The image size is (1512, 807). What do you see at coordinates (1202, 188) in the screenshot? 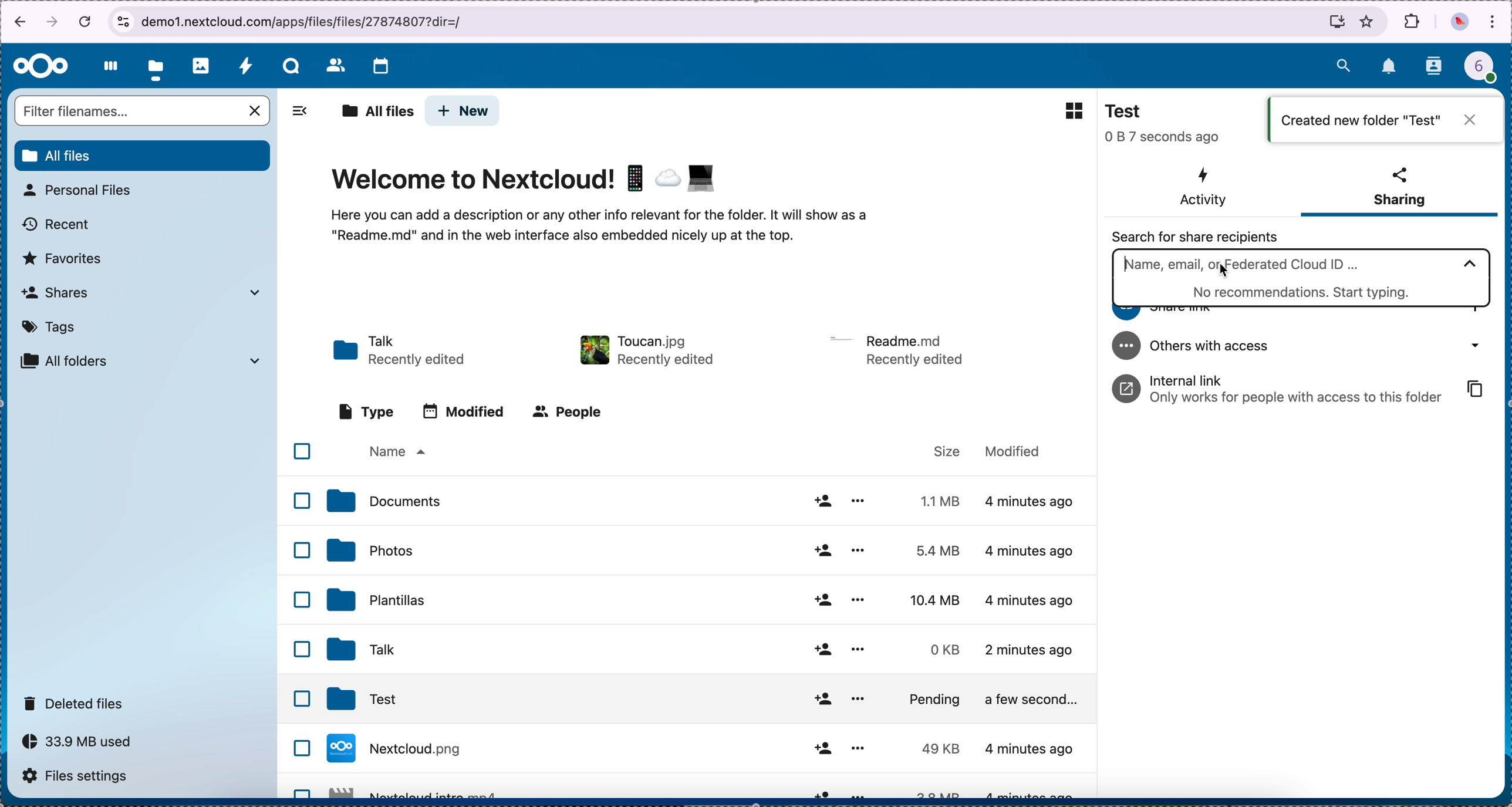
I see `activity` at bounding box center [1202, 188].